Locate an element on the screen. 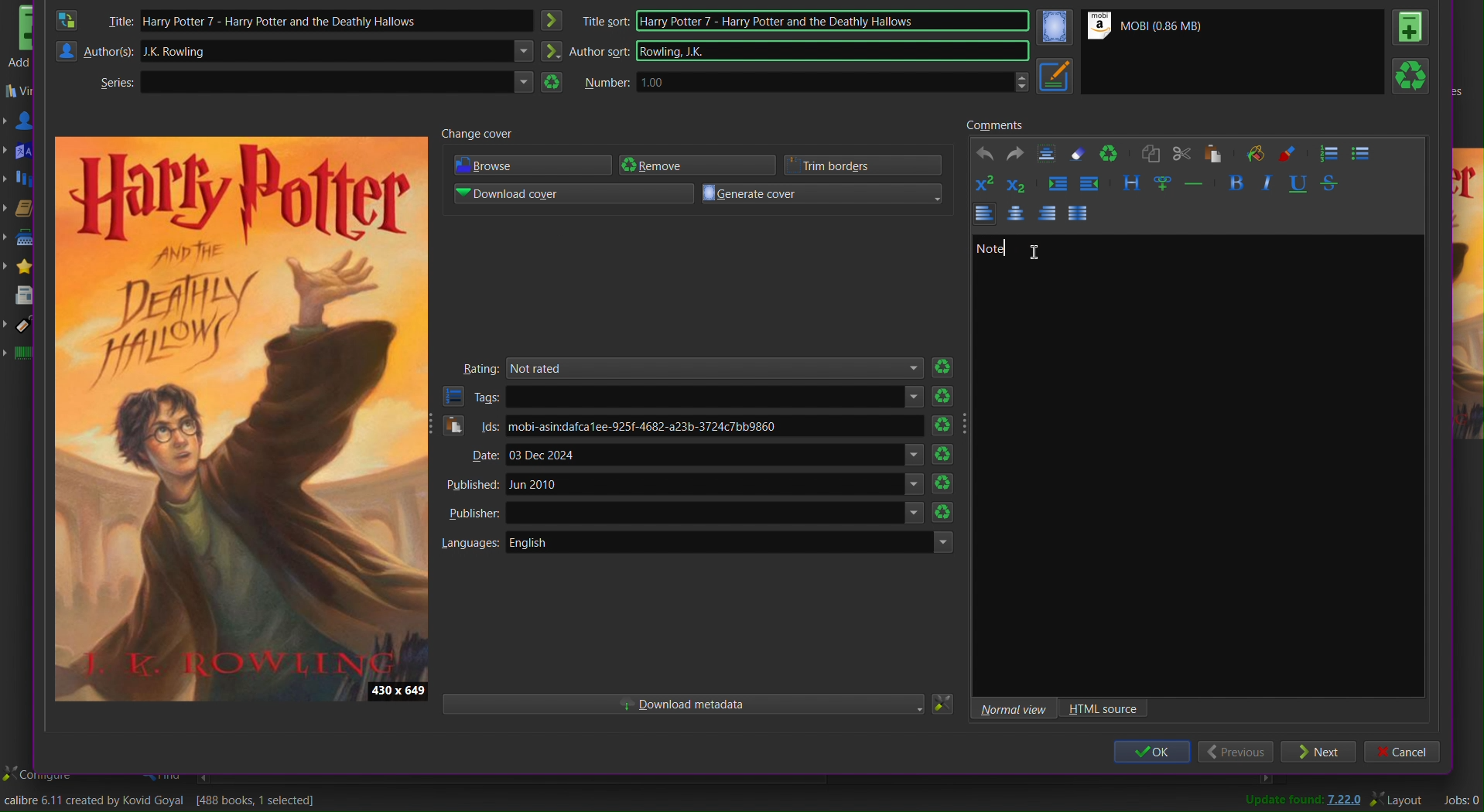  title sort is located at coordinates (606, 19).